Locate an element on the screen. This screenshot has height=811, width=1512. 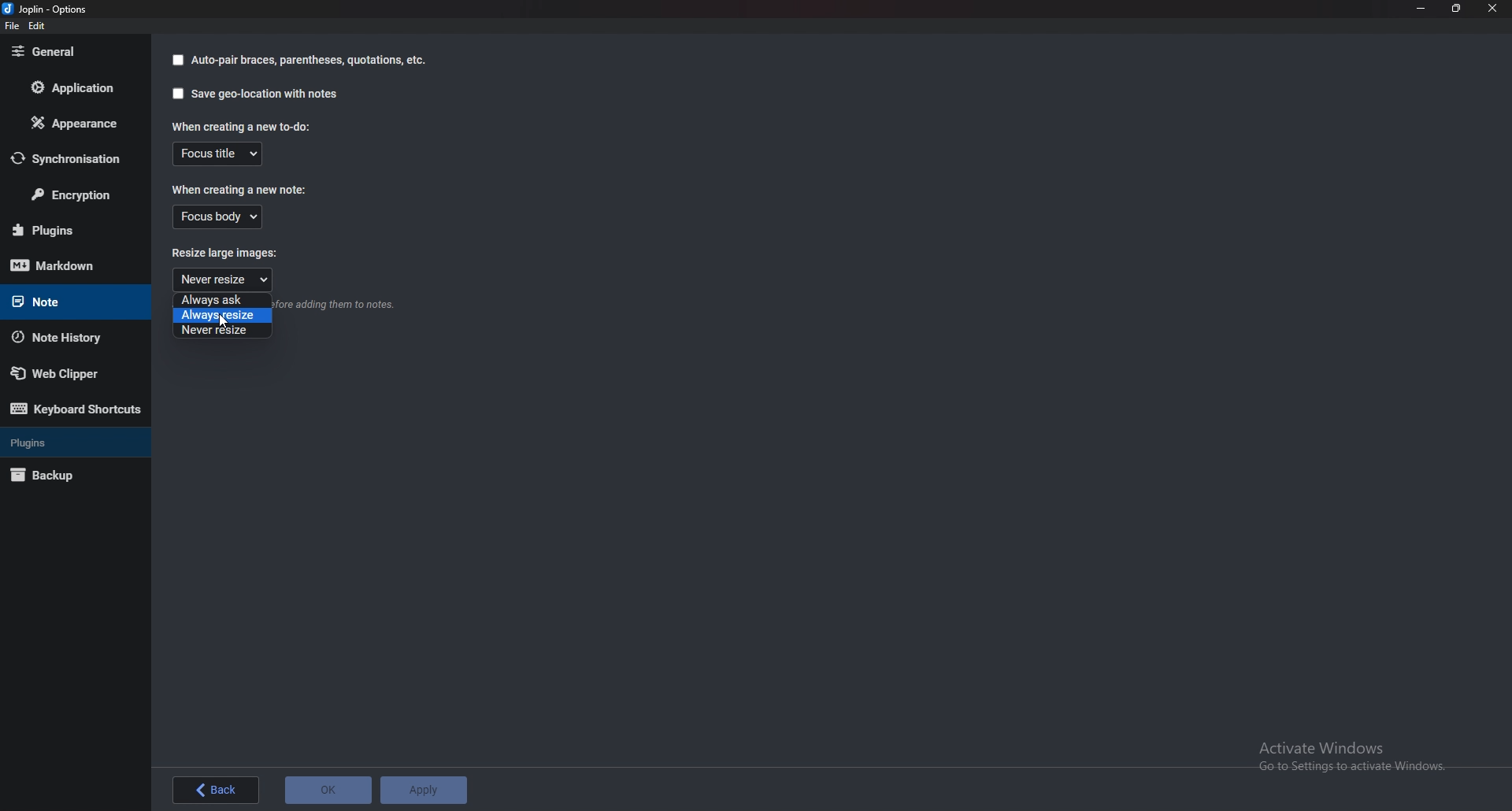
When creating a new note is located at coordinates (240, 188).